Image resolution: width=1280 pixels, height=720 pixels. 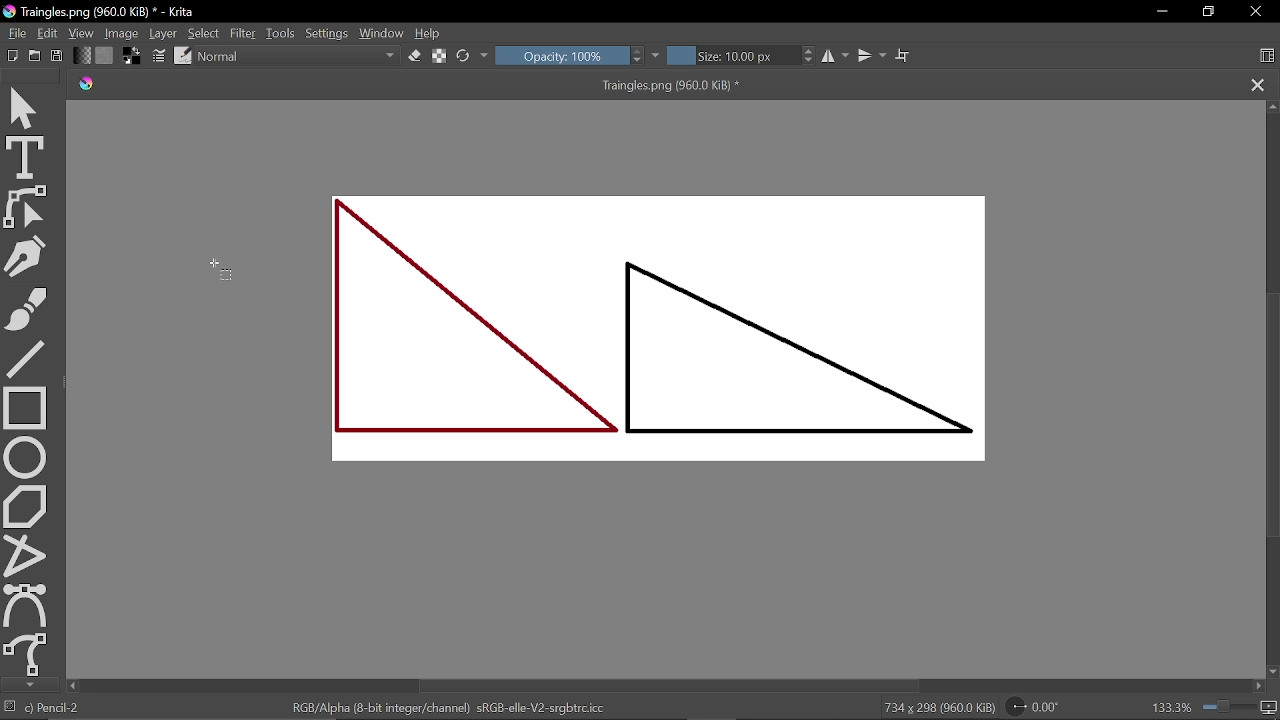 What do you see at coordinates (24, 308) in the screenshot?
I see `Brush tool` at bounding box center [24, 308].